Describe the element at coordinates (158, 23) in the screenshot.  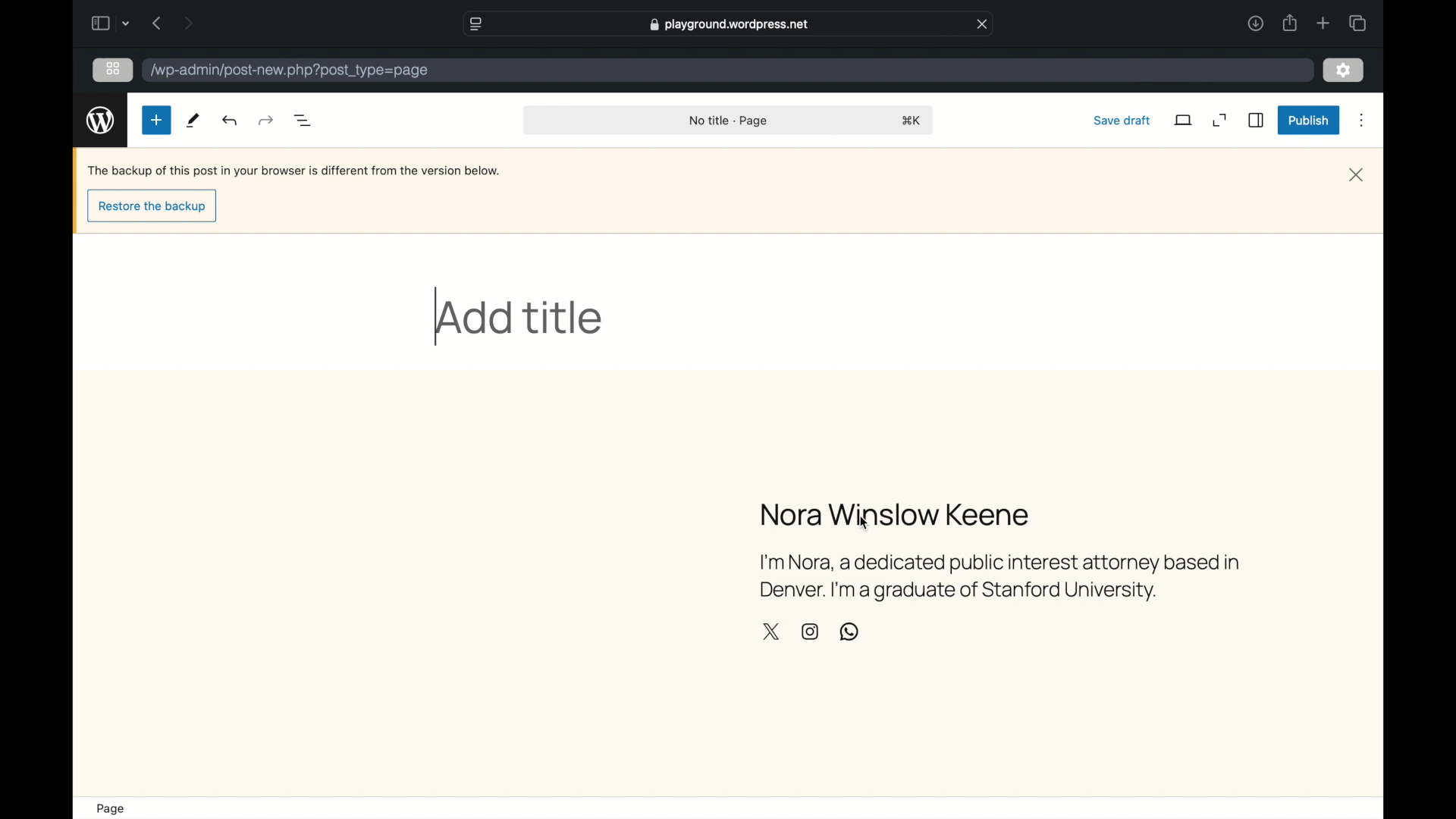
I see `previous page` at that location.